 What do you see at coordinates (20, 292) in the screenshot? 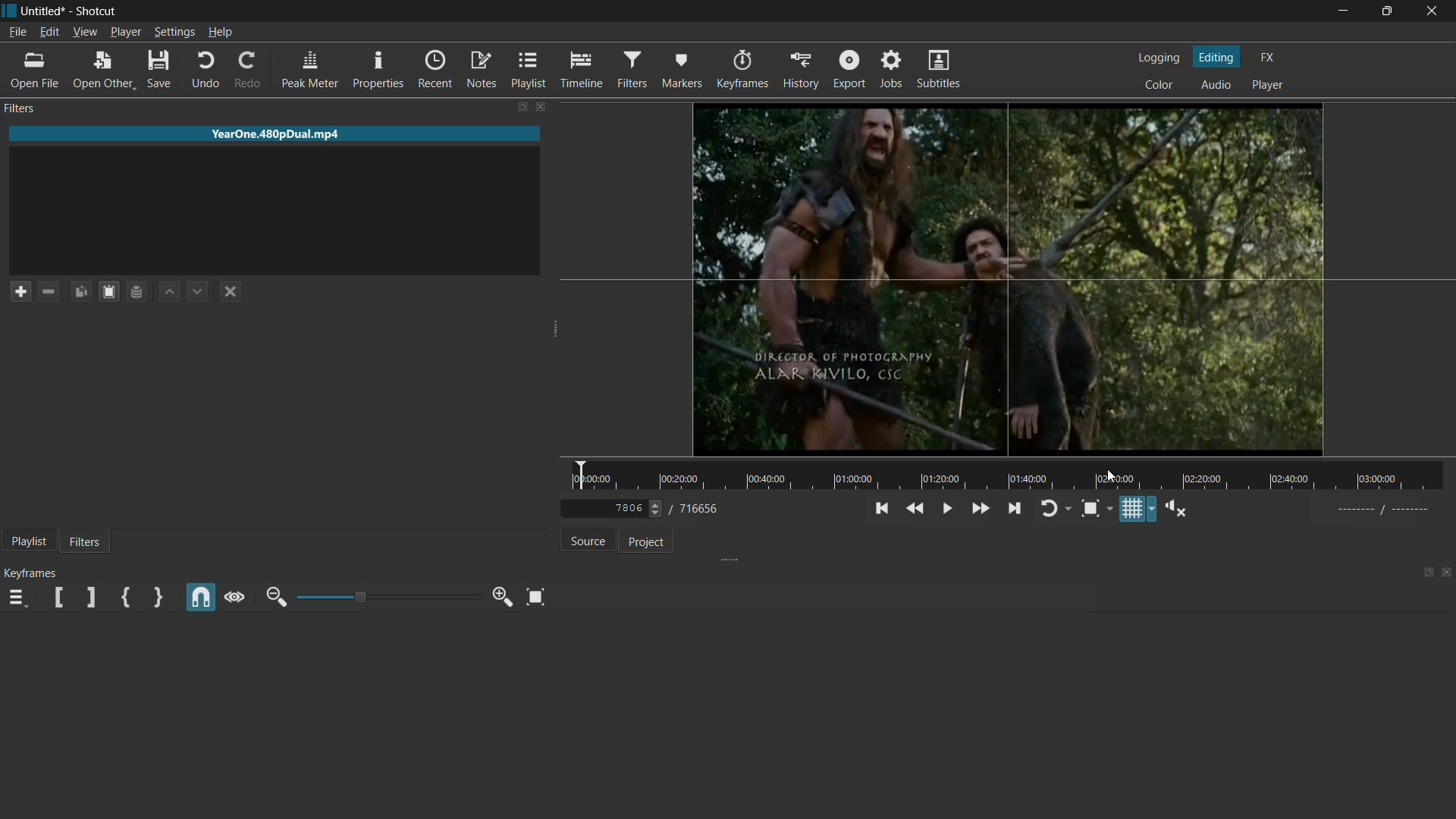
I see `add a filter` at bounding box center [20, 292].